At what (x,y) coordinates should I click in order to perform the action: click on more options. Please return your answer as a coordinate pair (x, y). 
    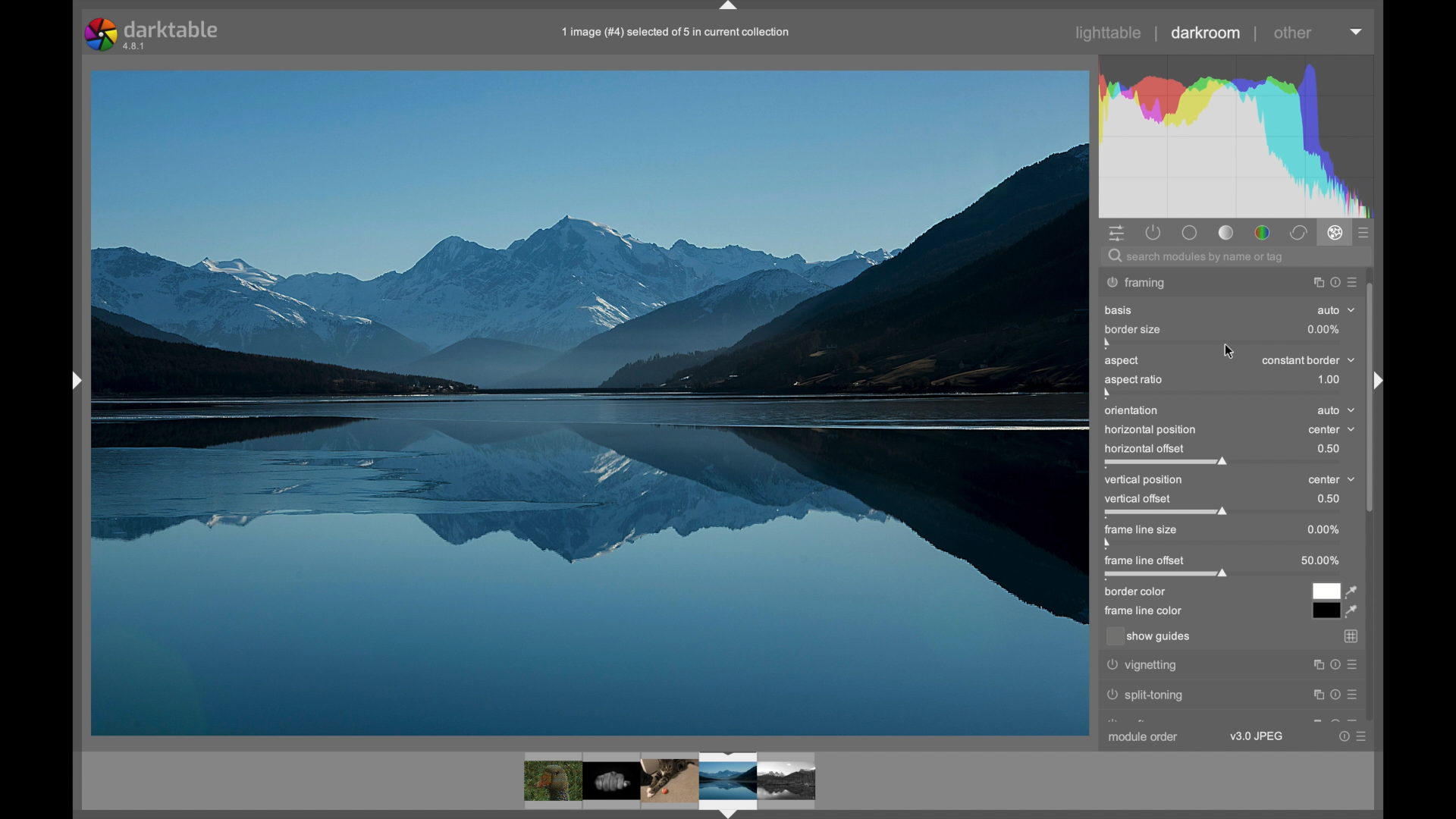
    Looking at the image, I should click on (1357, 32).